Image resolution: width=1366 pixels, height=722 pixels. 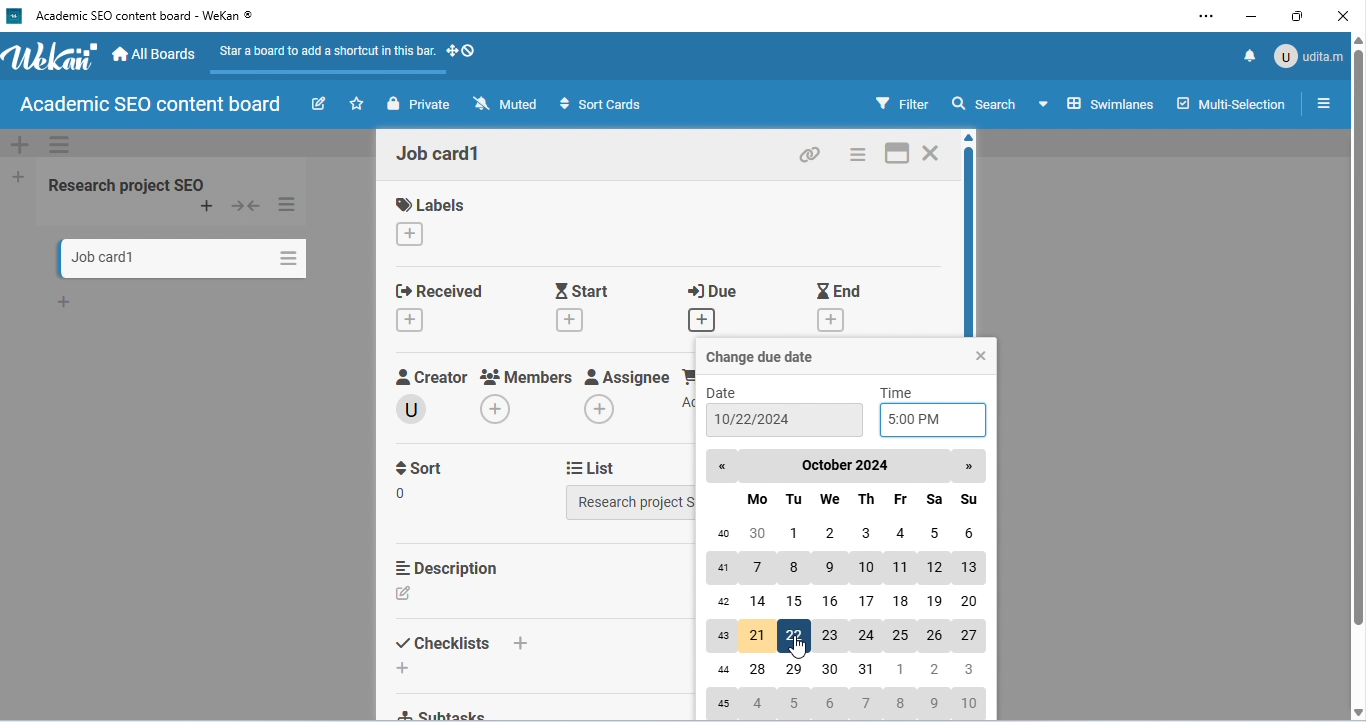 What do you see at coordinates (899, 104) in the screenshot?
I see `filter` at bounding box center [899, 104].